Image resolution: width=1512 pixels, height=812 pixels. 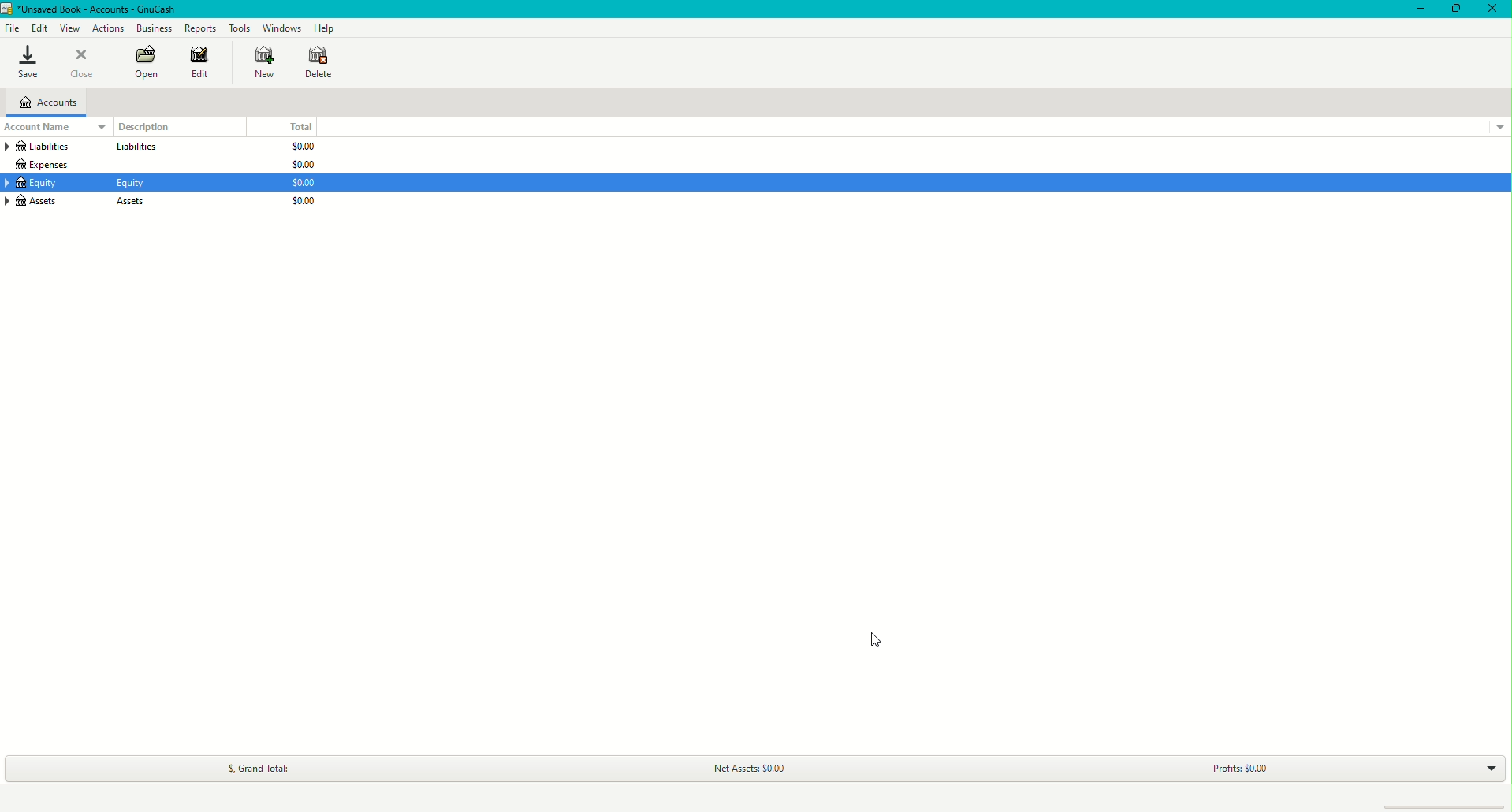 What do you see at coordinates (110, 28) in the screenshot?
I see `Actions` at bounding box center [110, 28].